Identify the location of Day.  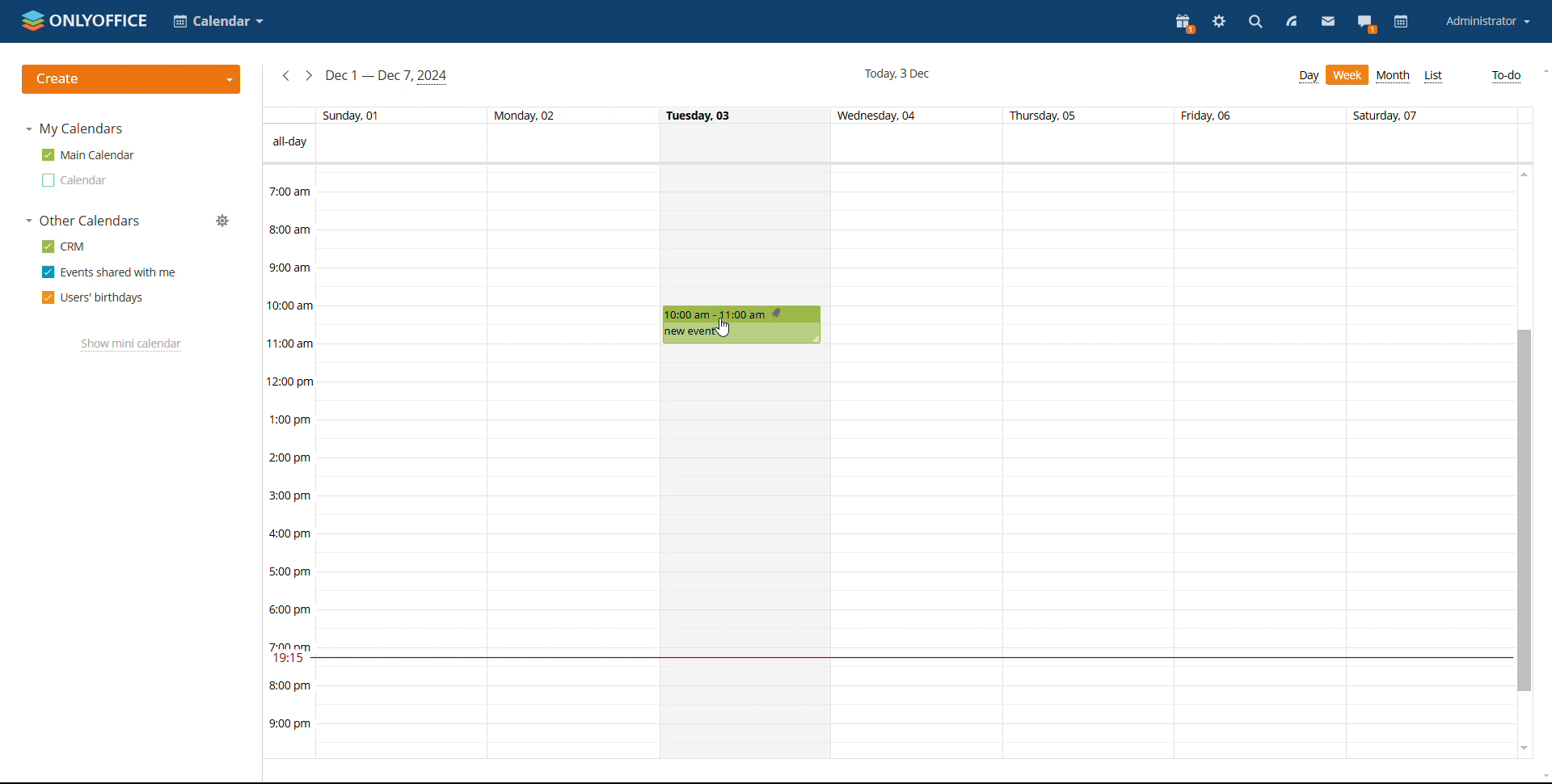
(1309, 77).